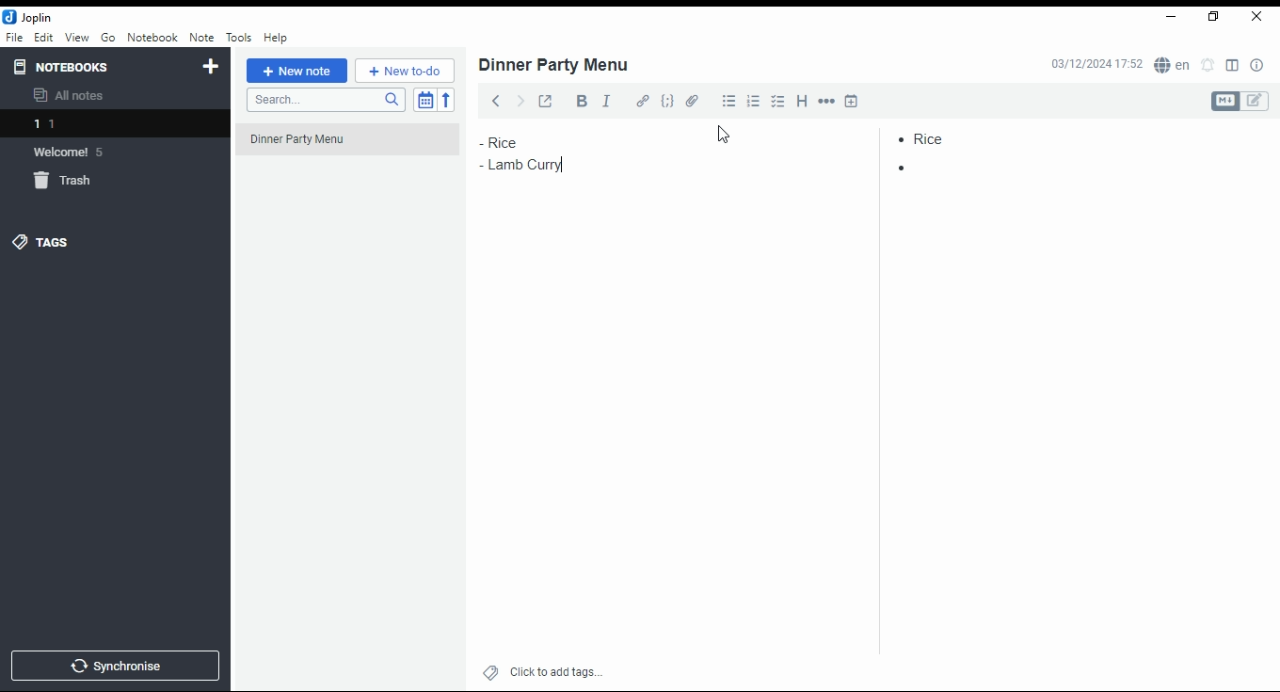  I want to click on notebooks, so click(66, 66).